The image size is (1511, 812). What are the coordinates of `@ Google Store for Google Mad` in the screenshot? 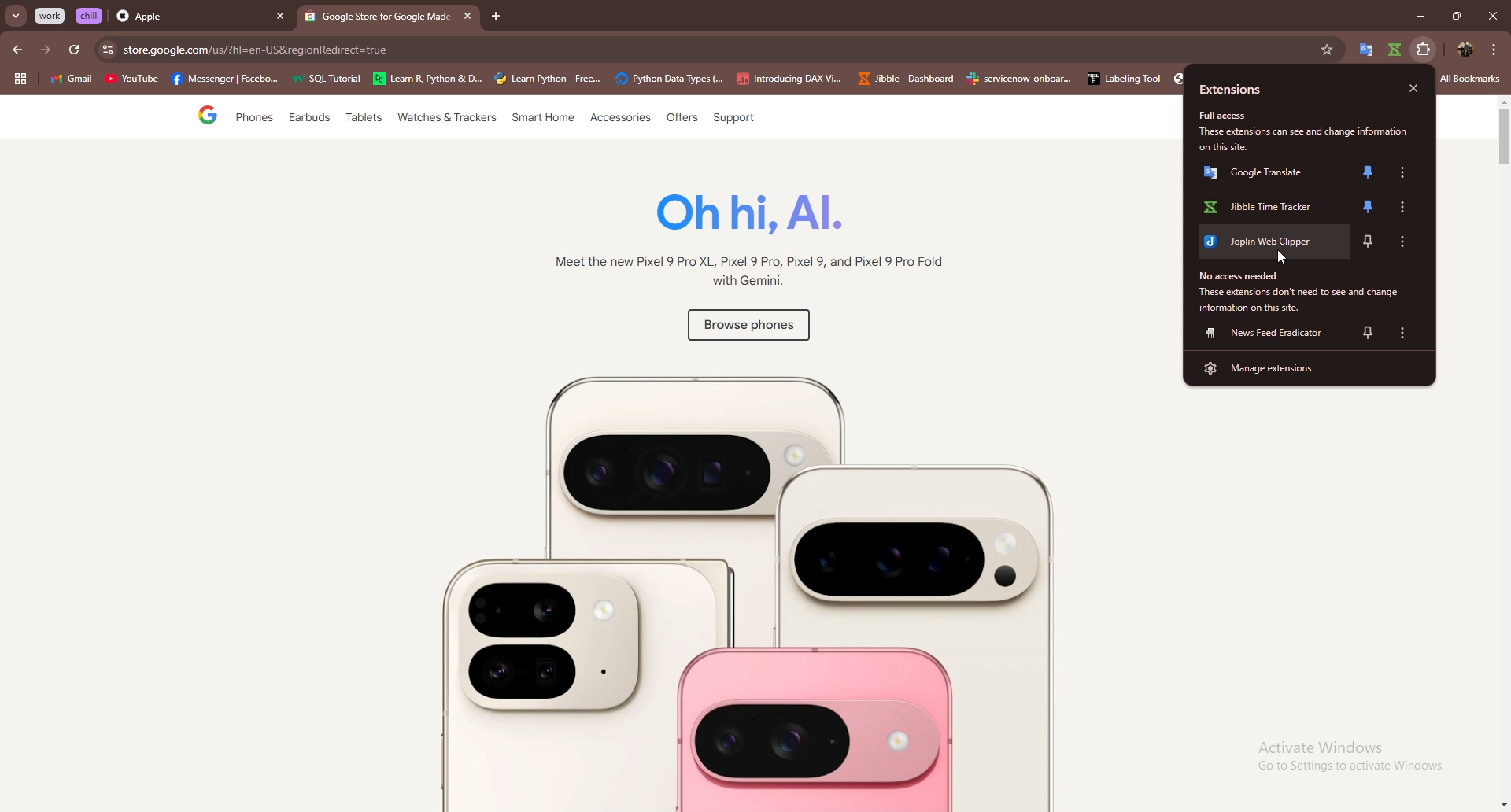 It's located at (378, 20).